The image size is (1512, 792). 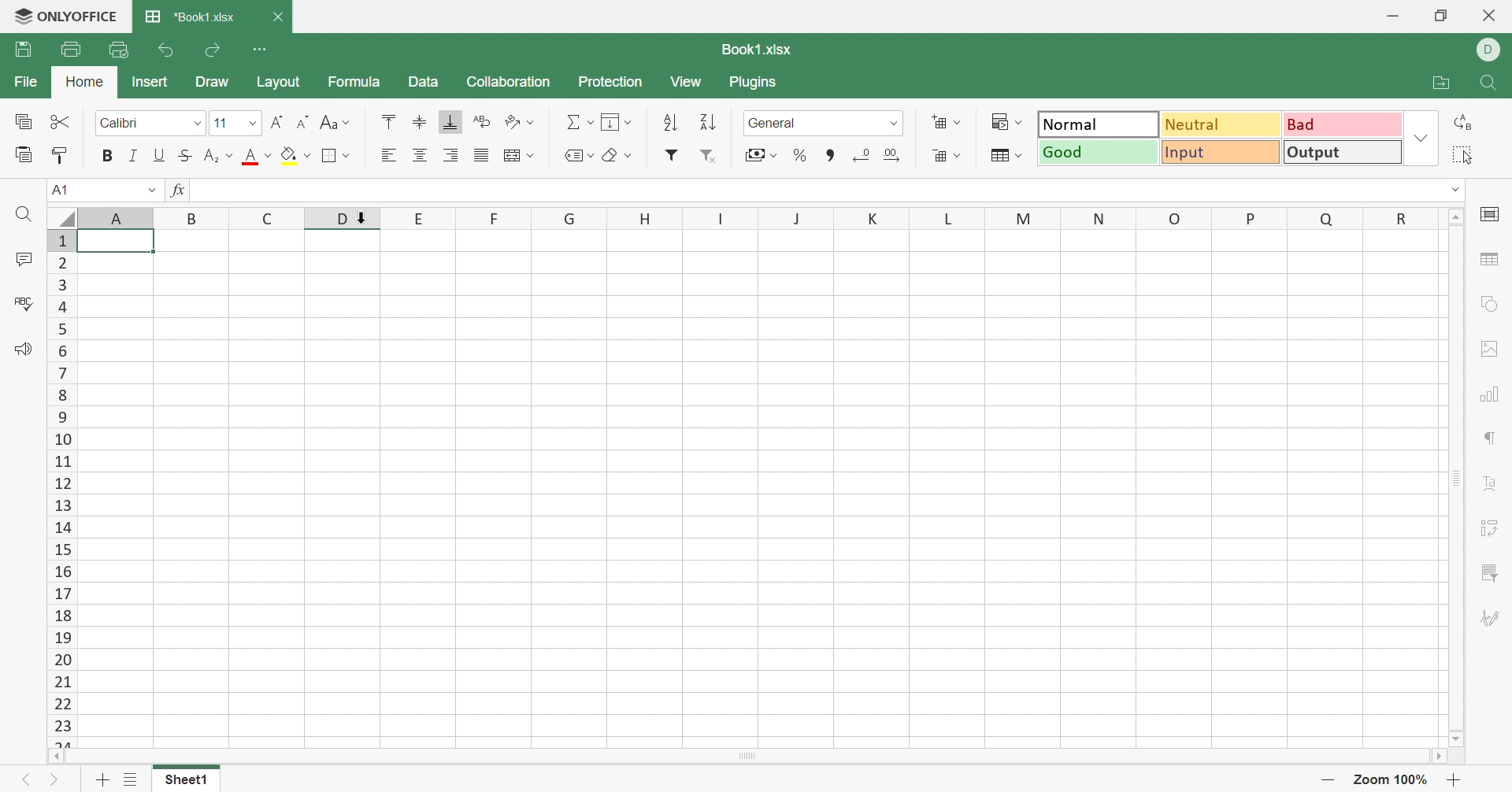 What do you see at coordinates (933, 155) in the screenshot?
I see `Delete cells` at bounding box center [933, 155].